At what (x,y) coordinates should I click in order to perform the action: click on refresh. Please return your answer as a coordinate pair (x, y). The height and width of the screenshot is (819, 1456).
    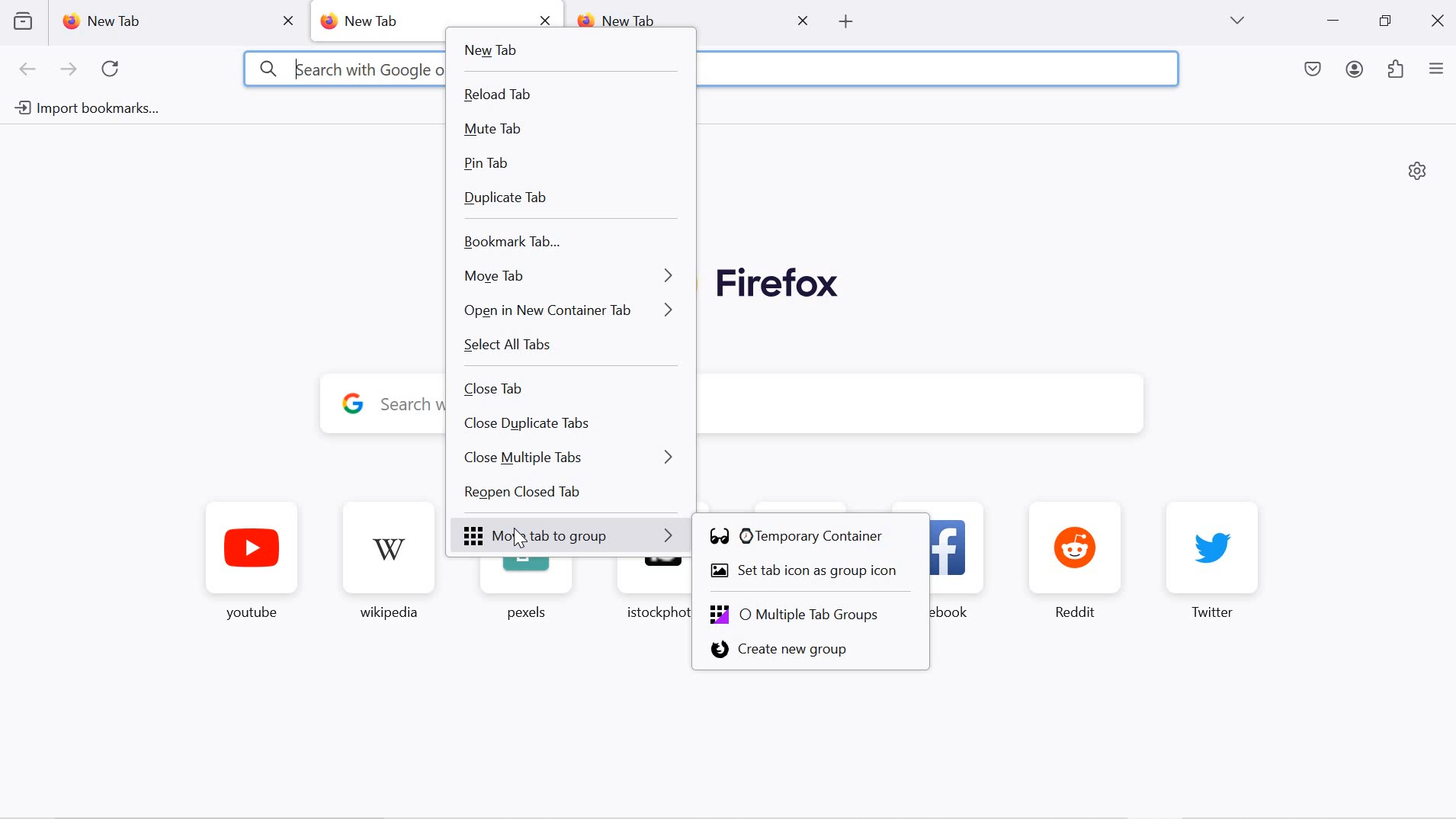
    Looking at the image, I should click on (111, 69).